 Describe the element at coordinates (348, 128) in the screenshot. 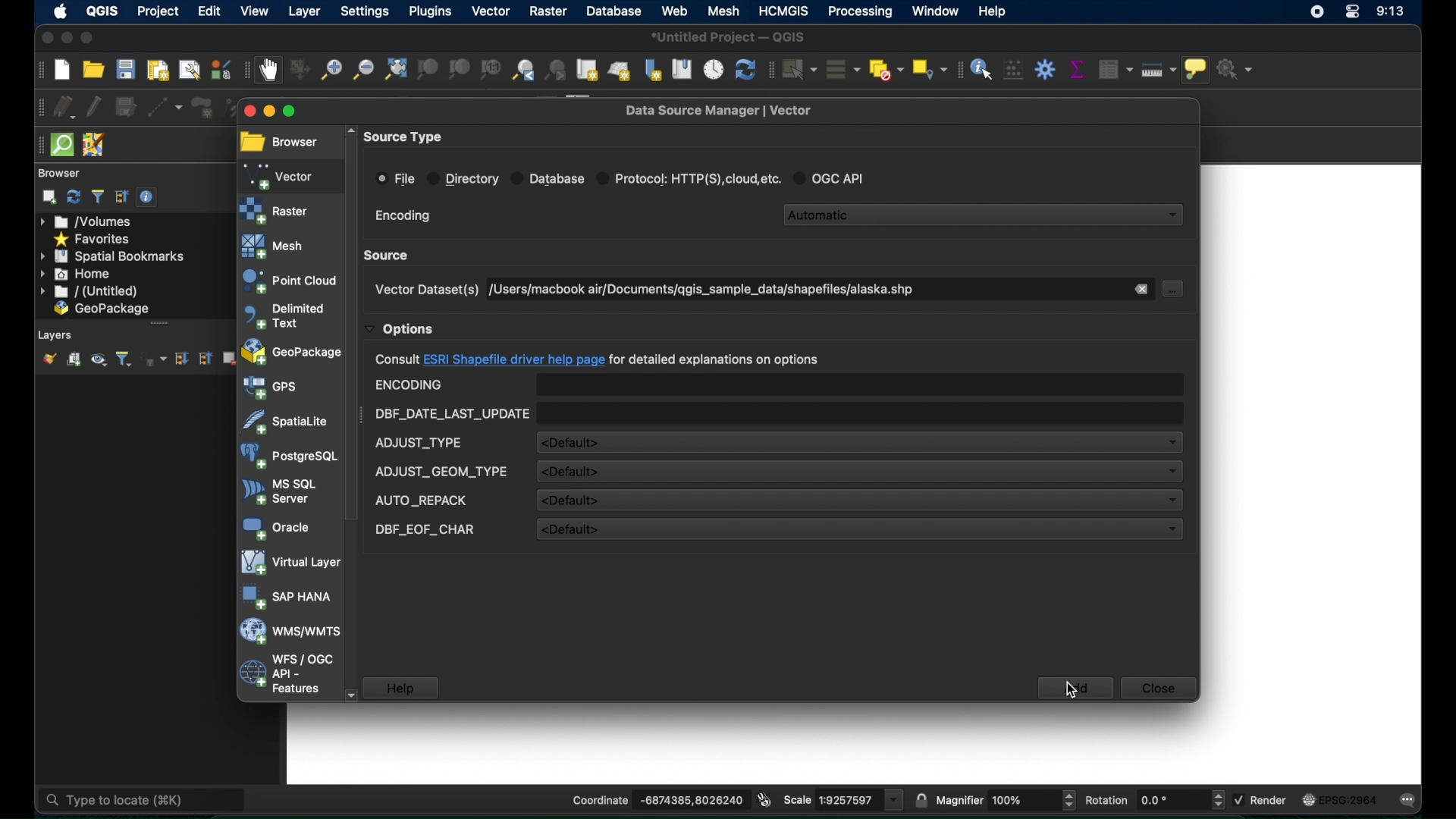

I see `scroll up arrow` at that location.